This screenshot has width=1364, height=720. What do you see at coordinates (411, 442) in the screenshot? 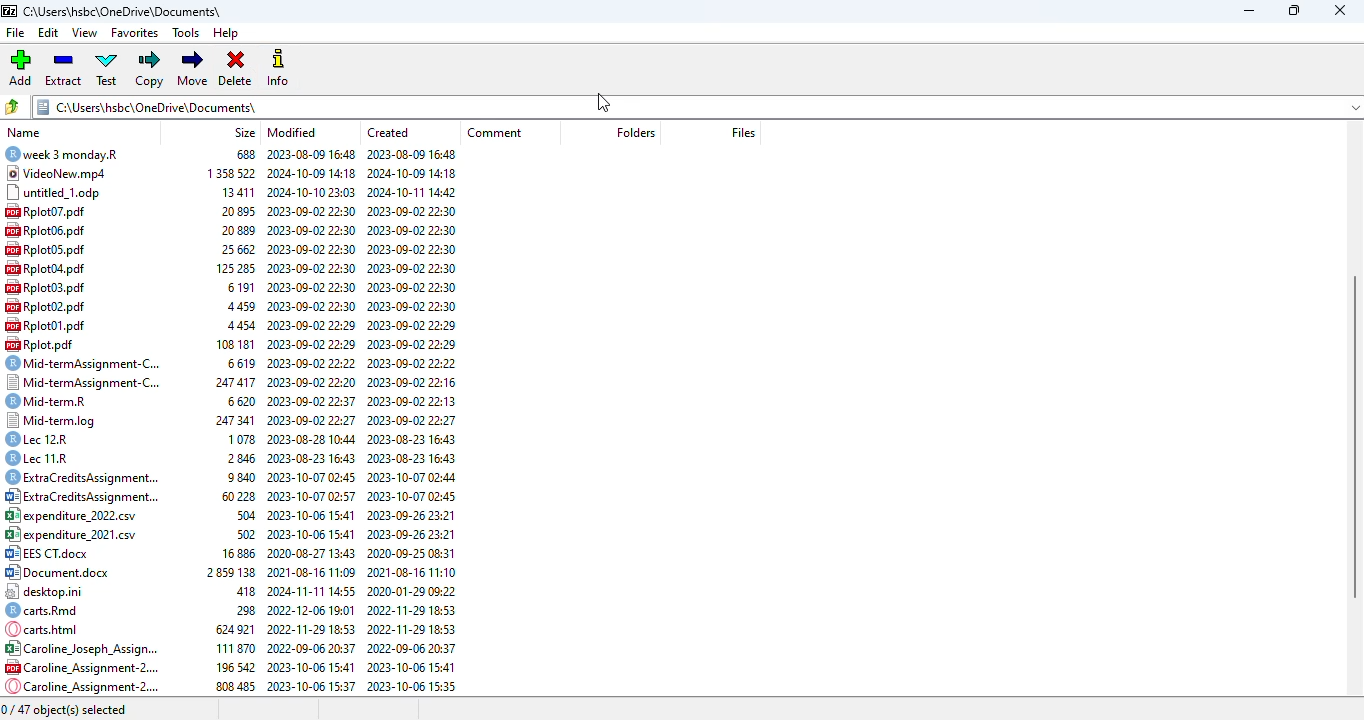
I see `2002.08.73 1643` at bounding box center [411, 442].